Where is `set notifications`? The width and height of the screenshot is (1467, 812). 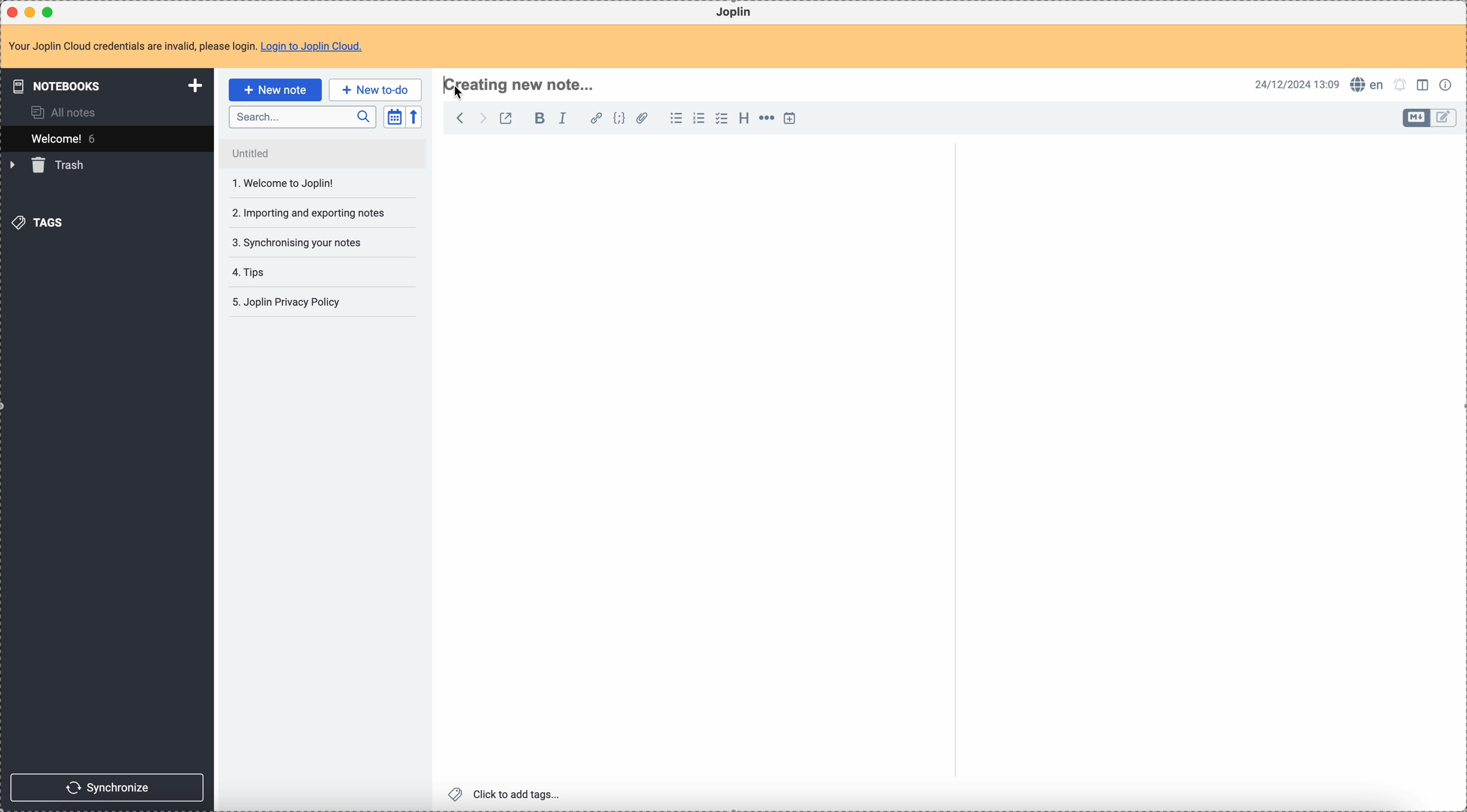 set notifications is located at coordinates (1400, 84).